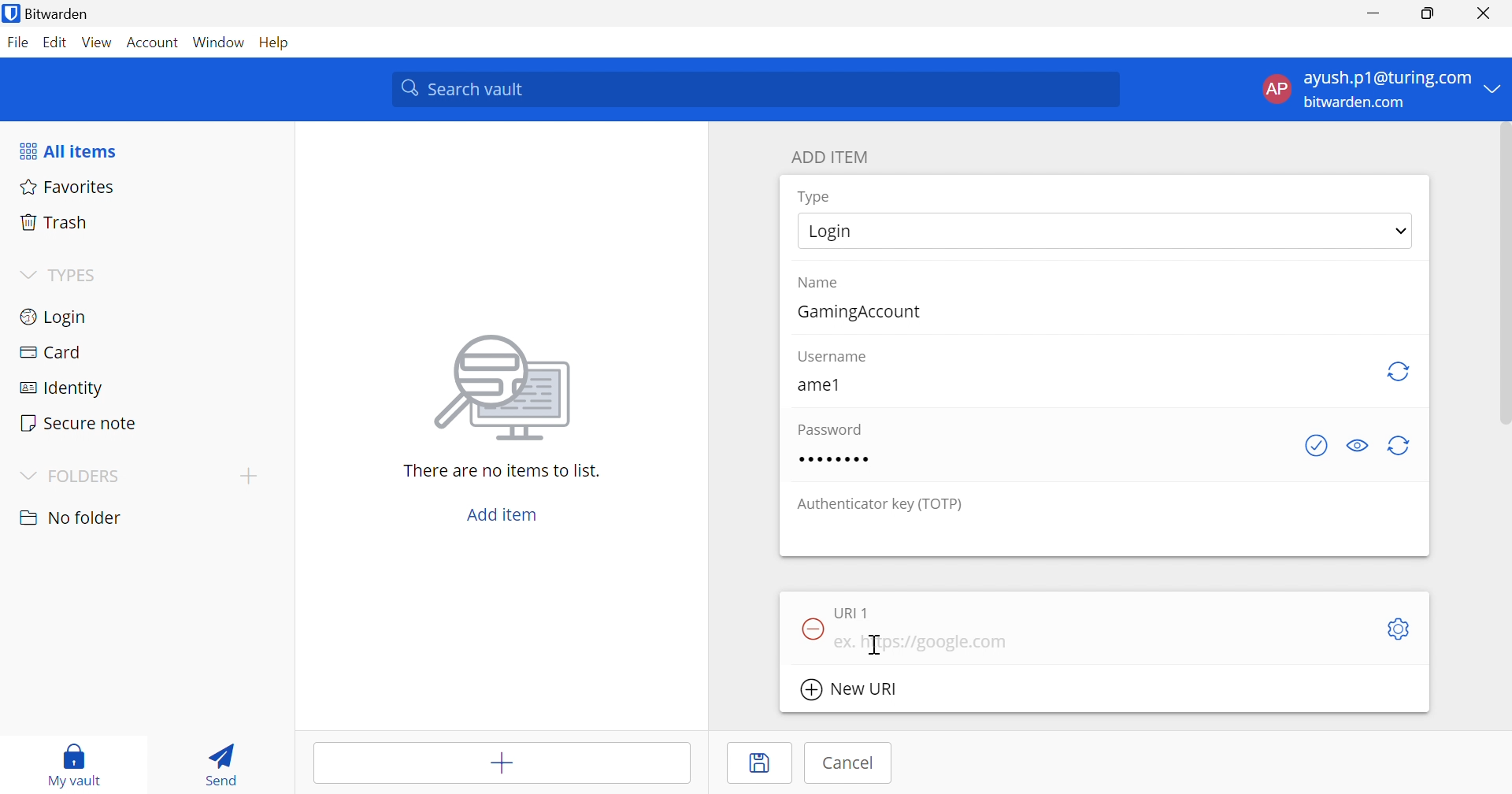  I want to click on There are no items to list., so click(502, 473).